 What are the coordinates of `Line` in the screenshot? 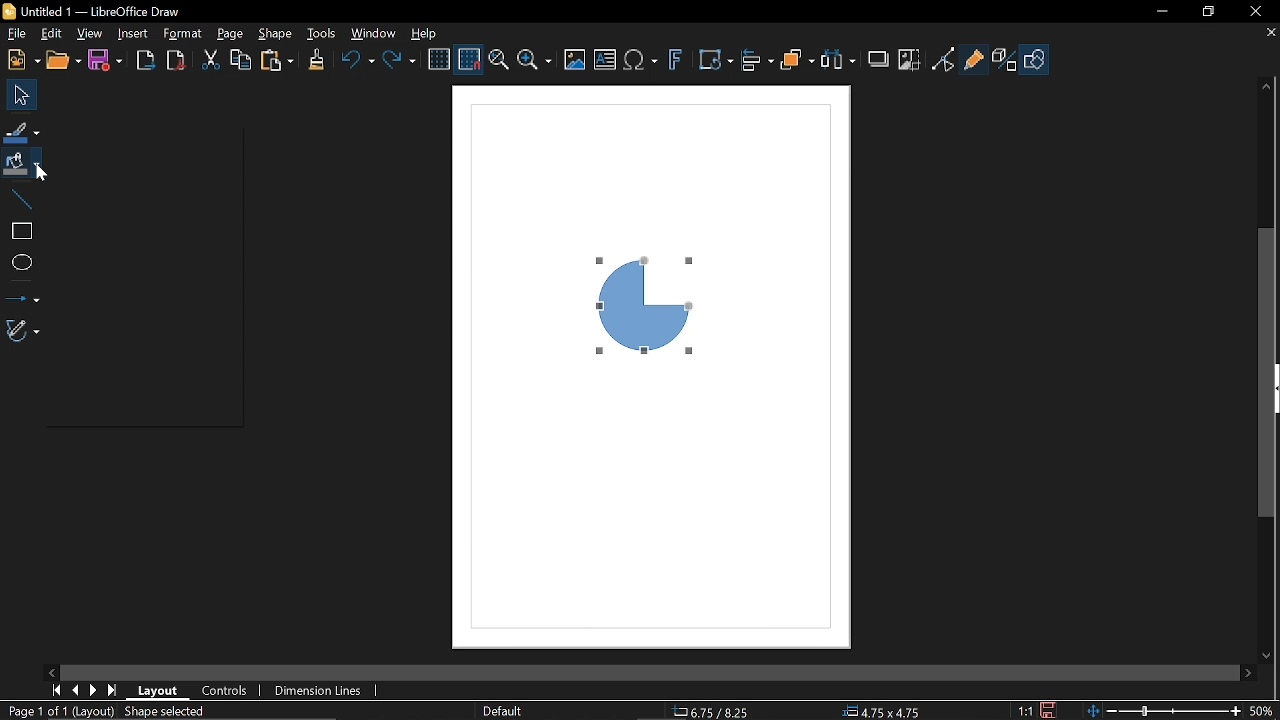 It's located at (22, 201).